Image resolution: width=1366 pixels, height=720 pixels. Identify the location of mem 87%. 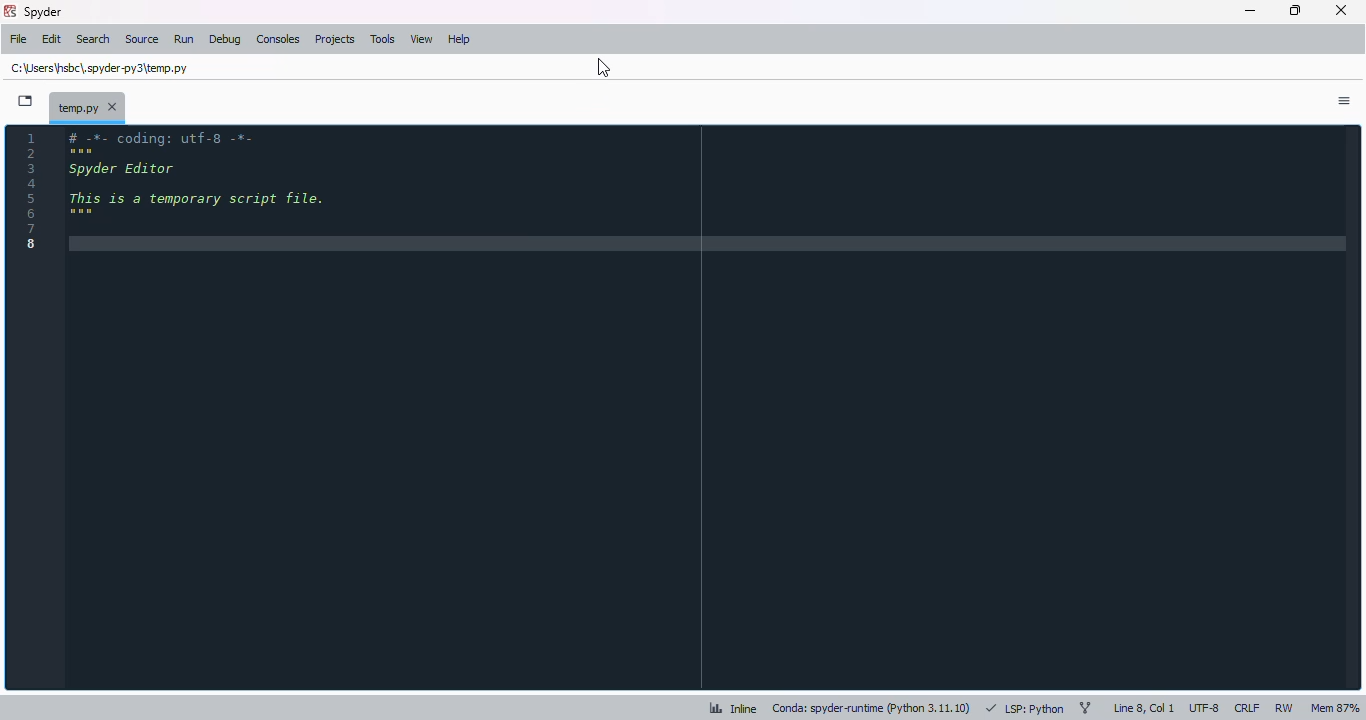
(1334, 707).